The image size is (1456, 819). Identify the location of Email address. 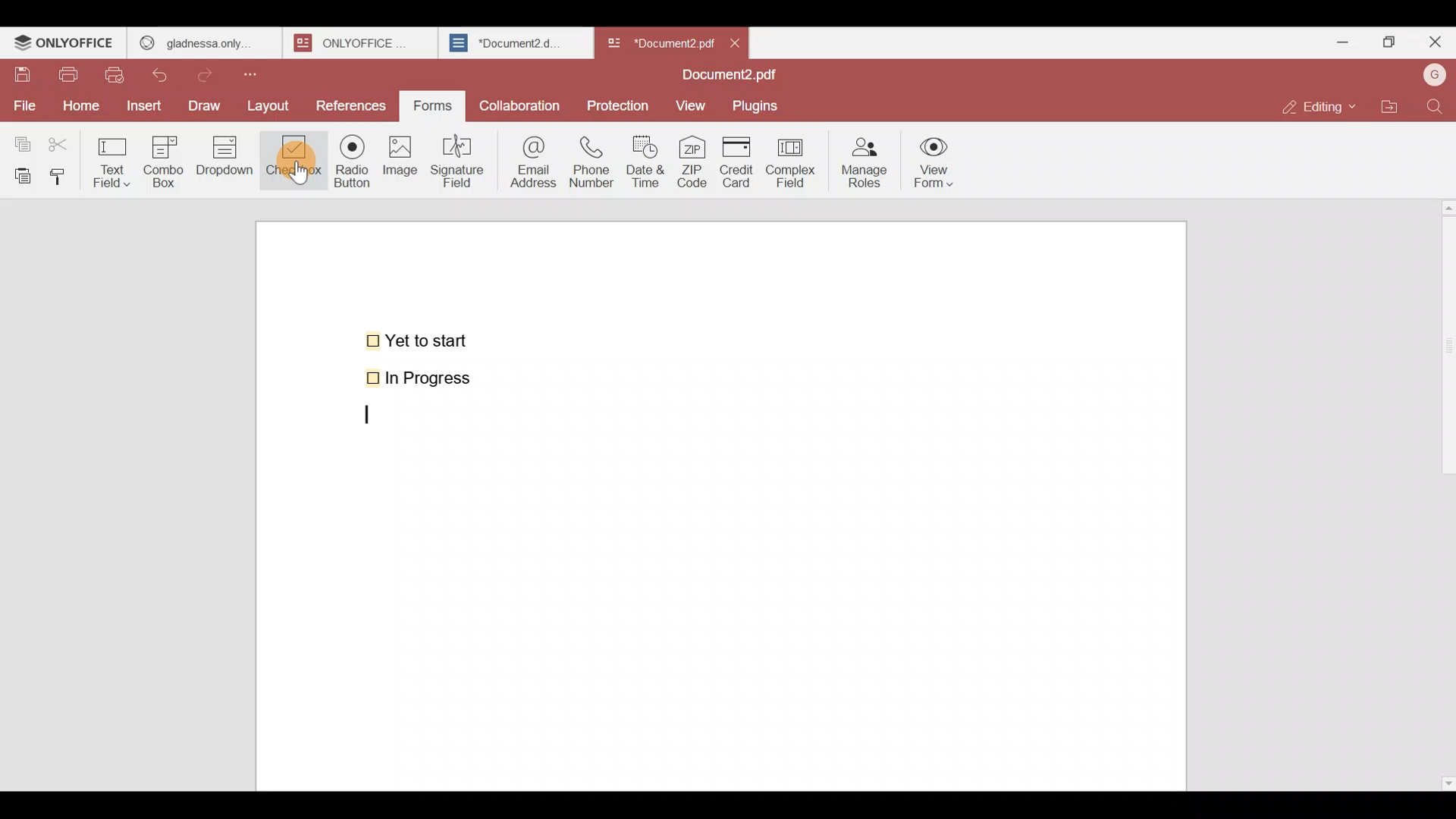
(530, 160).